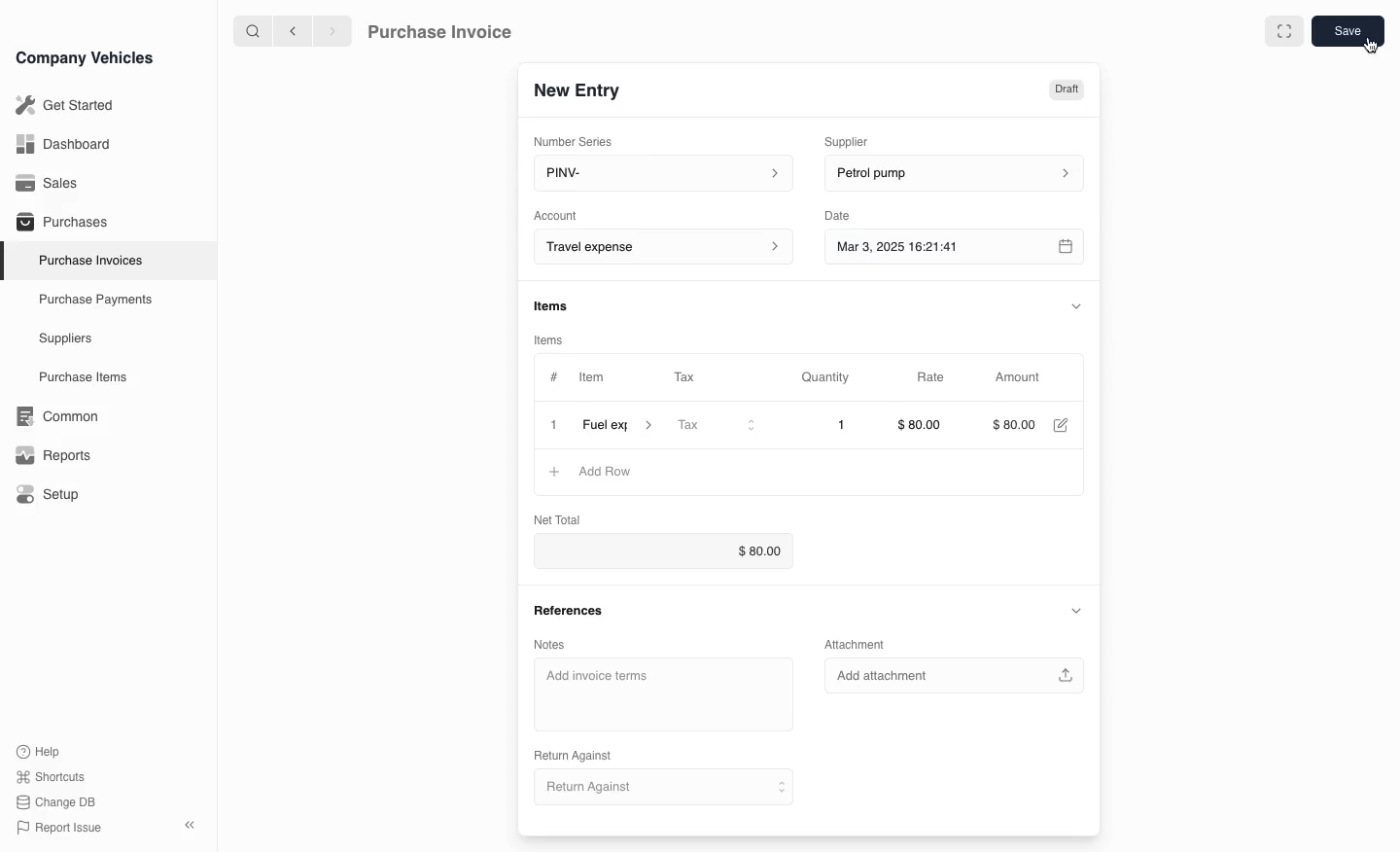  I want to click on Draft, so click(1065, 88).